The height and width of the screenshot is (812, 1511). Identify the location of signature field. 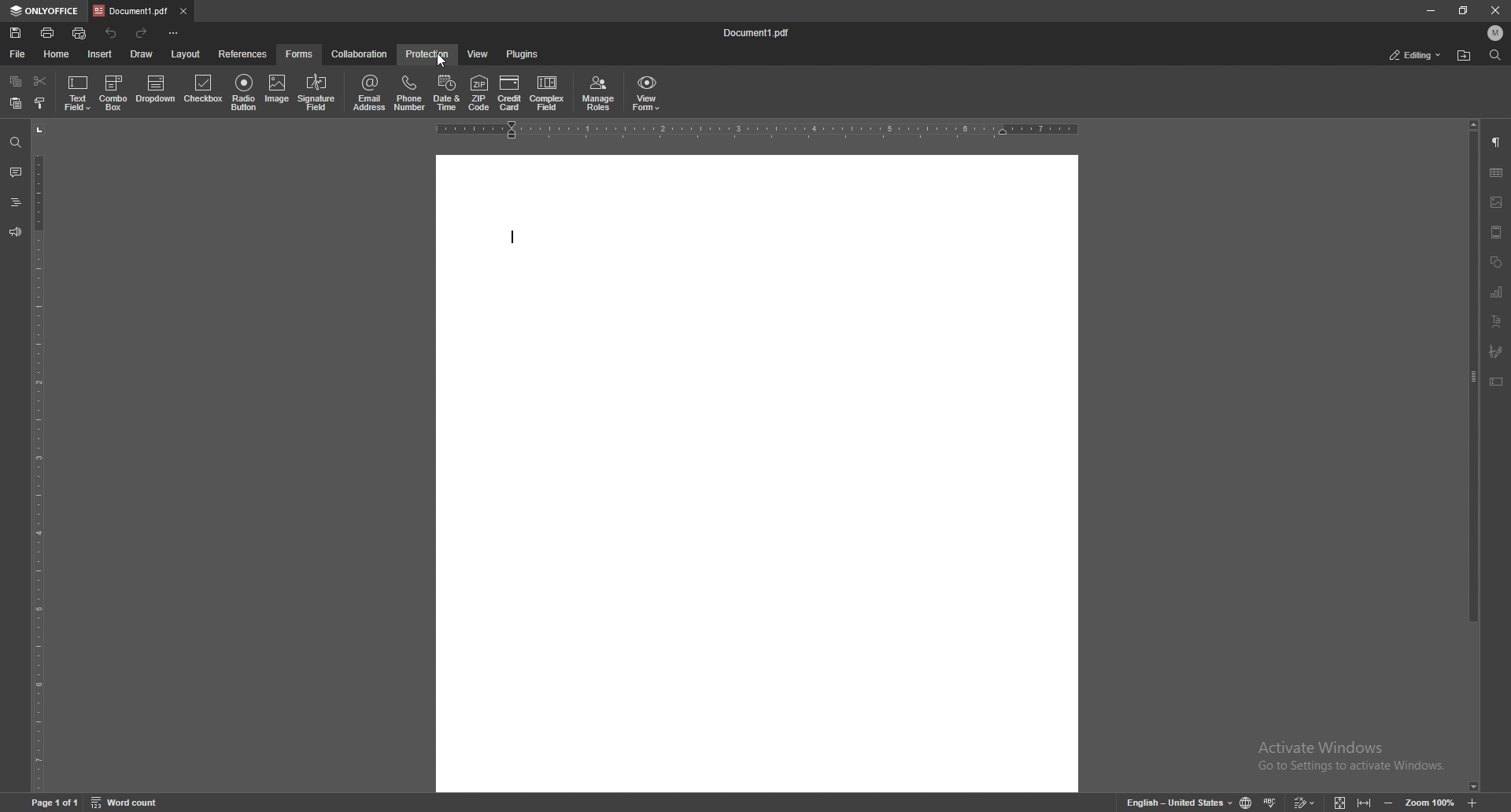
(1497, 350).